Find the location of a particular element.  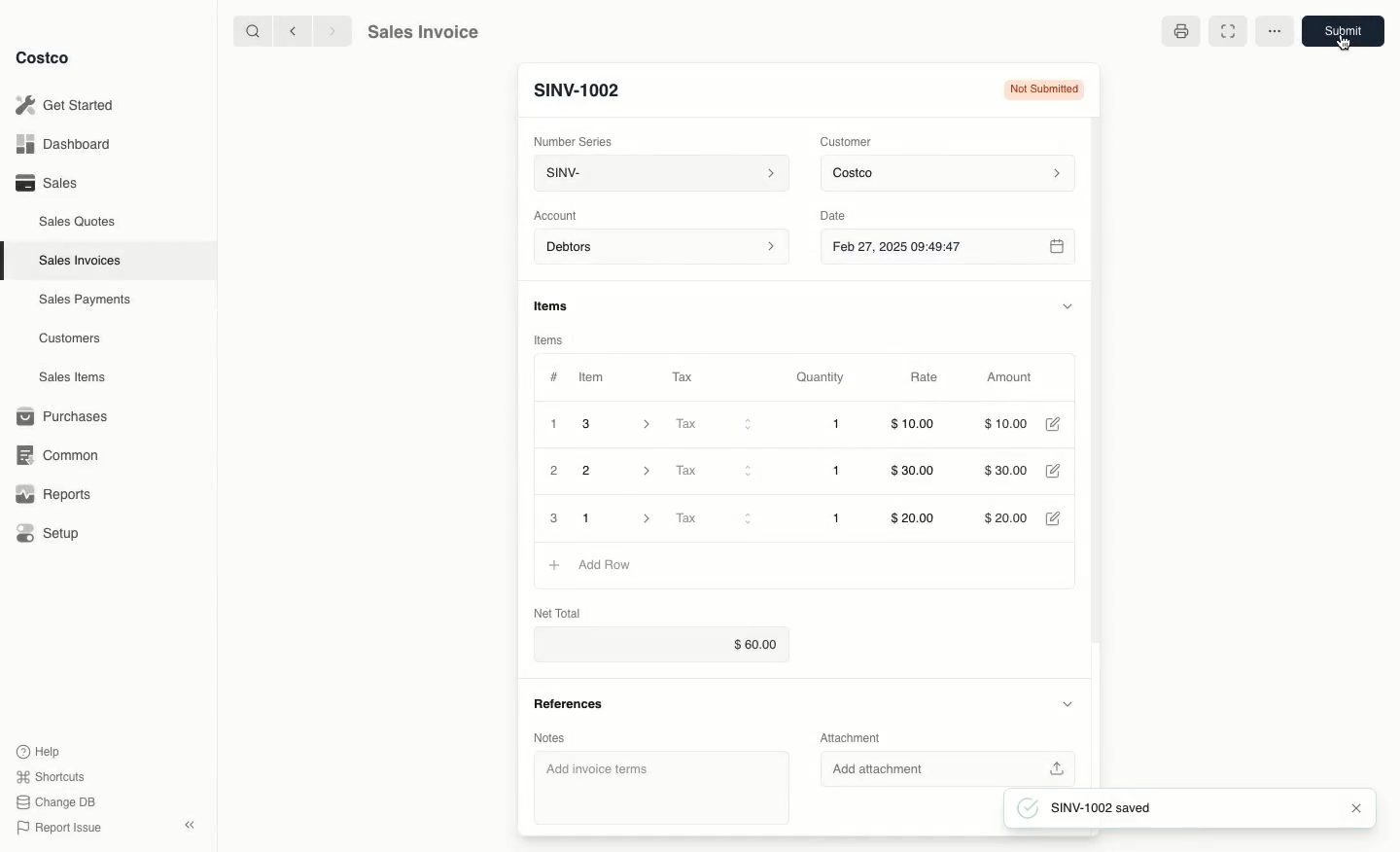

References is located at coordinates (575, 709).